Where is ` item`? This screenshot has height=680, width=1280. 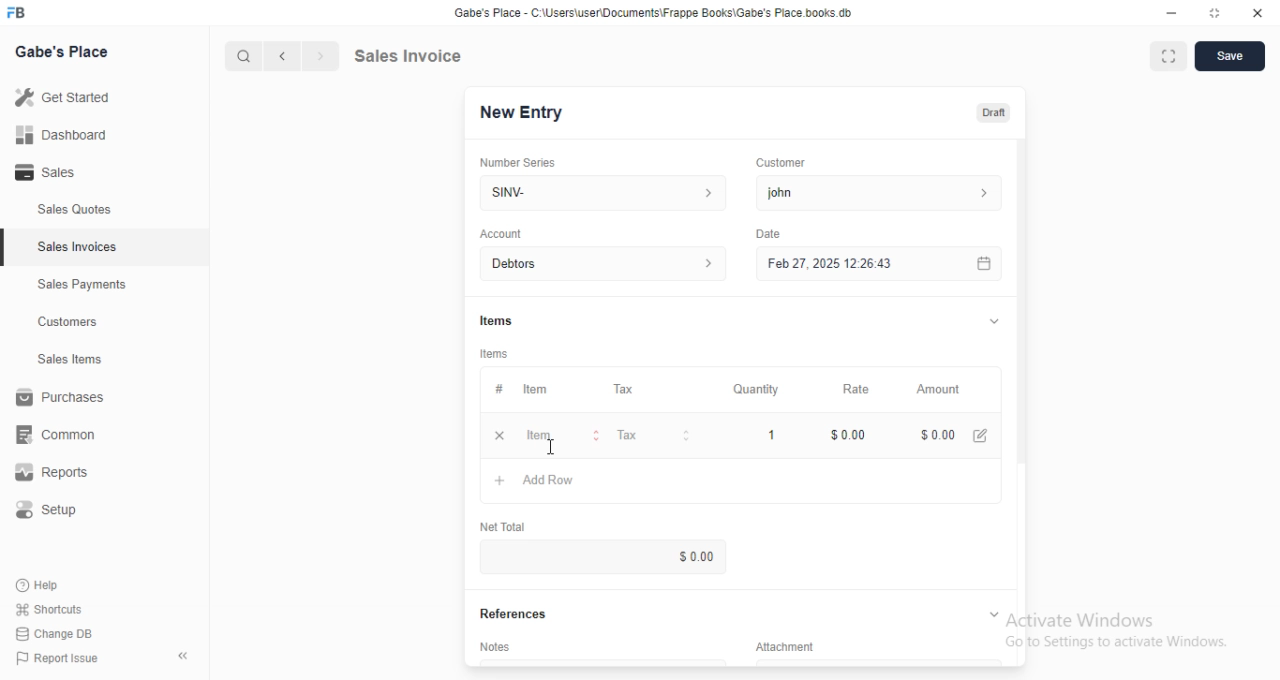
 item is located at coordinates (536, 388).